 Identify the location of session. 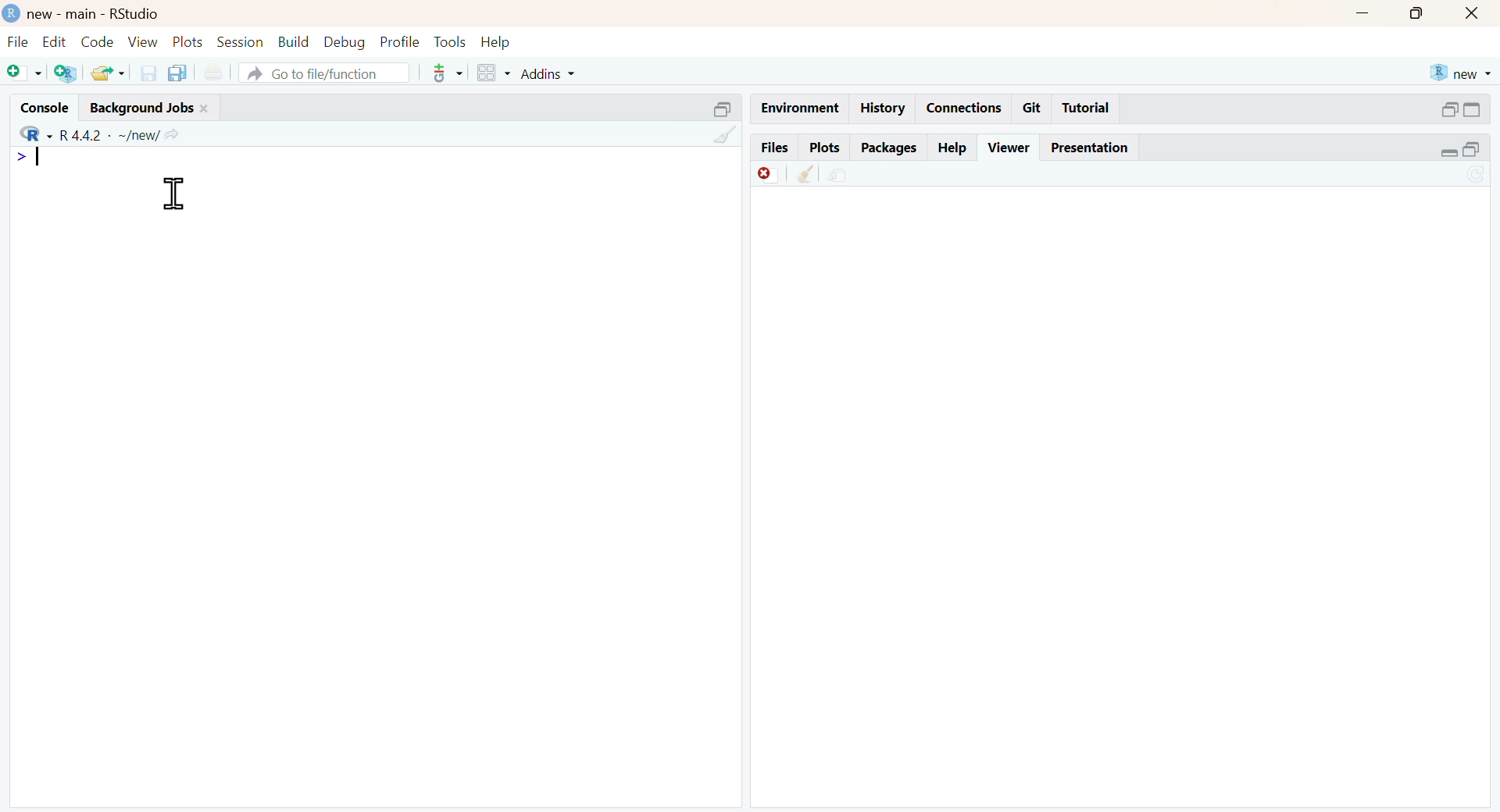
(241, 42).